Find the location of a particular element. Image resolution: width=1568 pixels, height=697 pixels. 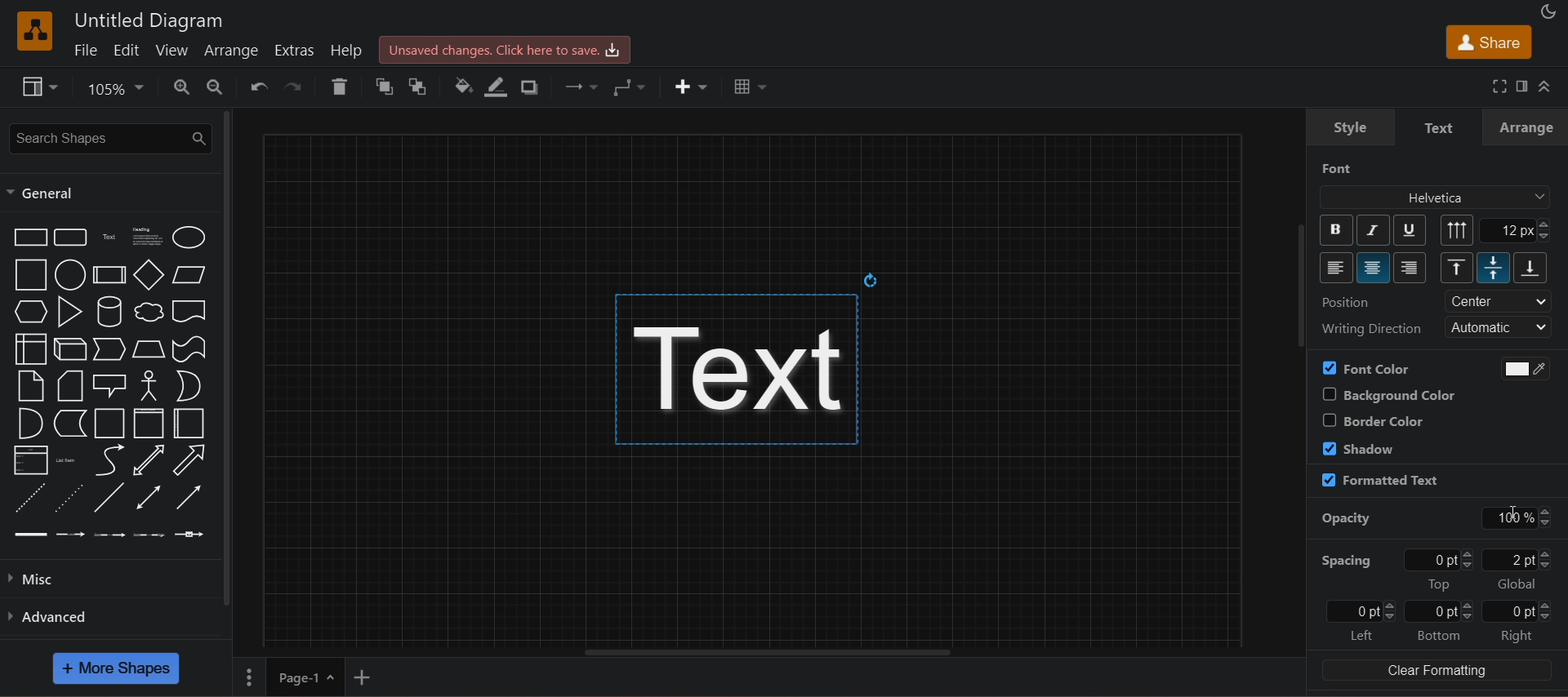

100% is located at coordinates (1519, 518).